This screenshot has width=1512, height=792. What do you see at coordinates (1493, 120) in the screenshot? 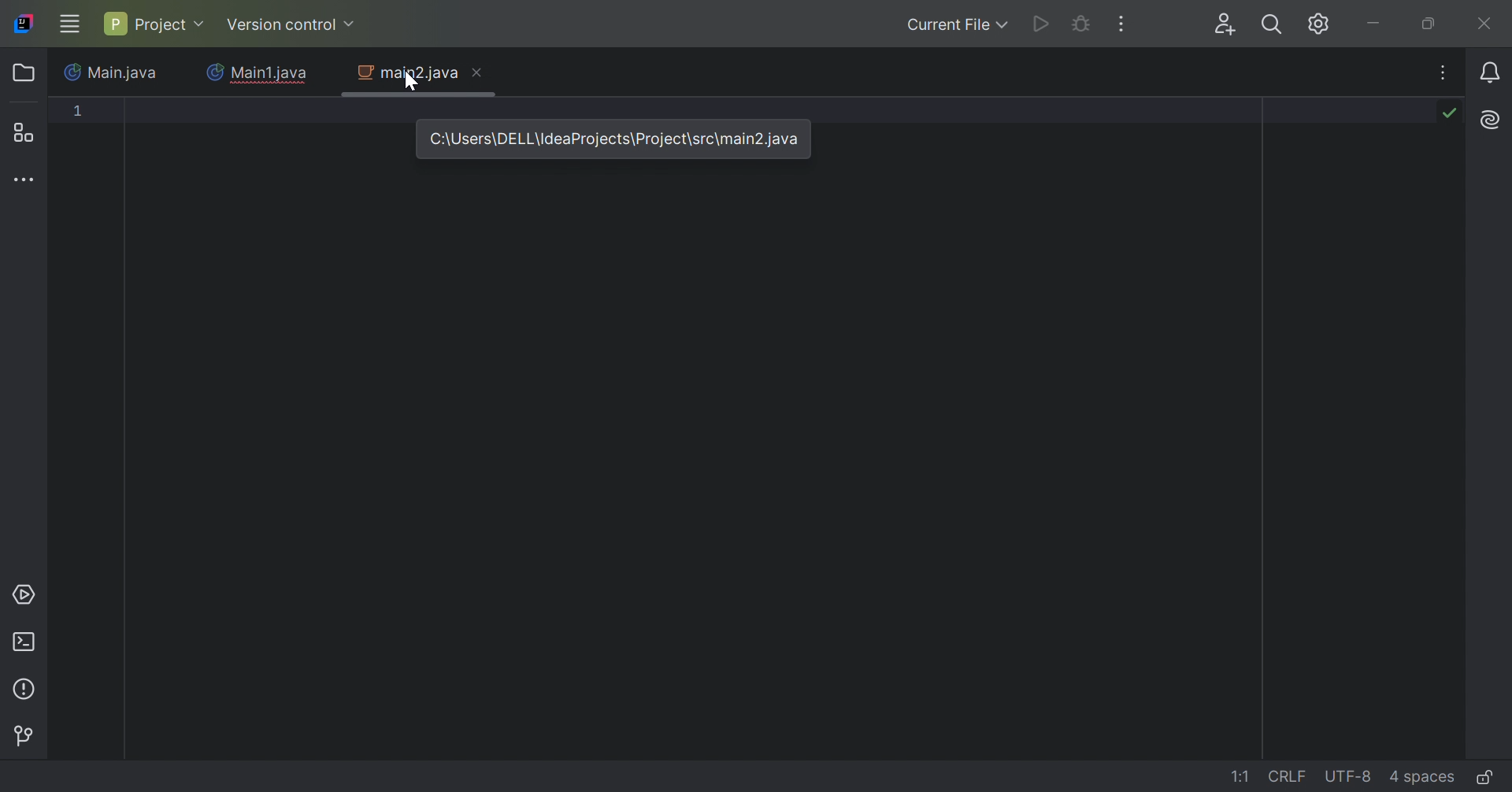
I see `AL Assistant` at bounding box center [1493, 120].